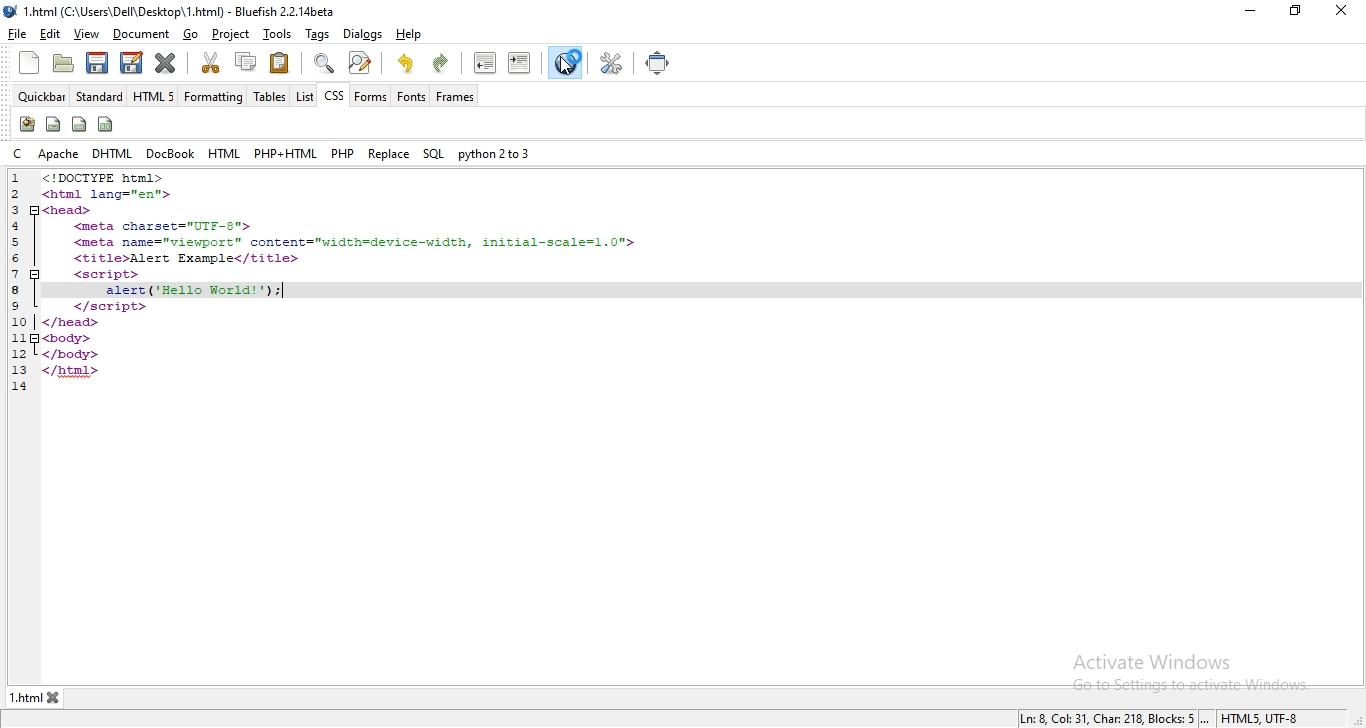 This screenshot has width=1366, height=728. What do you see at coordinates (211, 63) in the screenshot?
I see `cut` at bounding box center [211, 63].